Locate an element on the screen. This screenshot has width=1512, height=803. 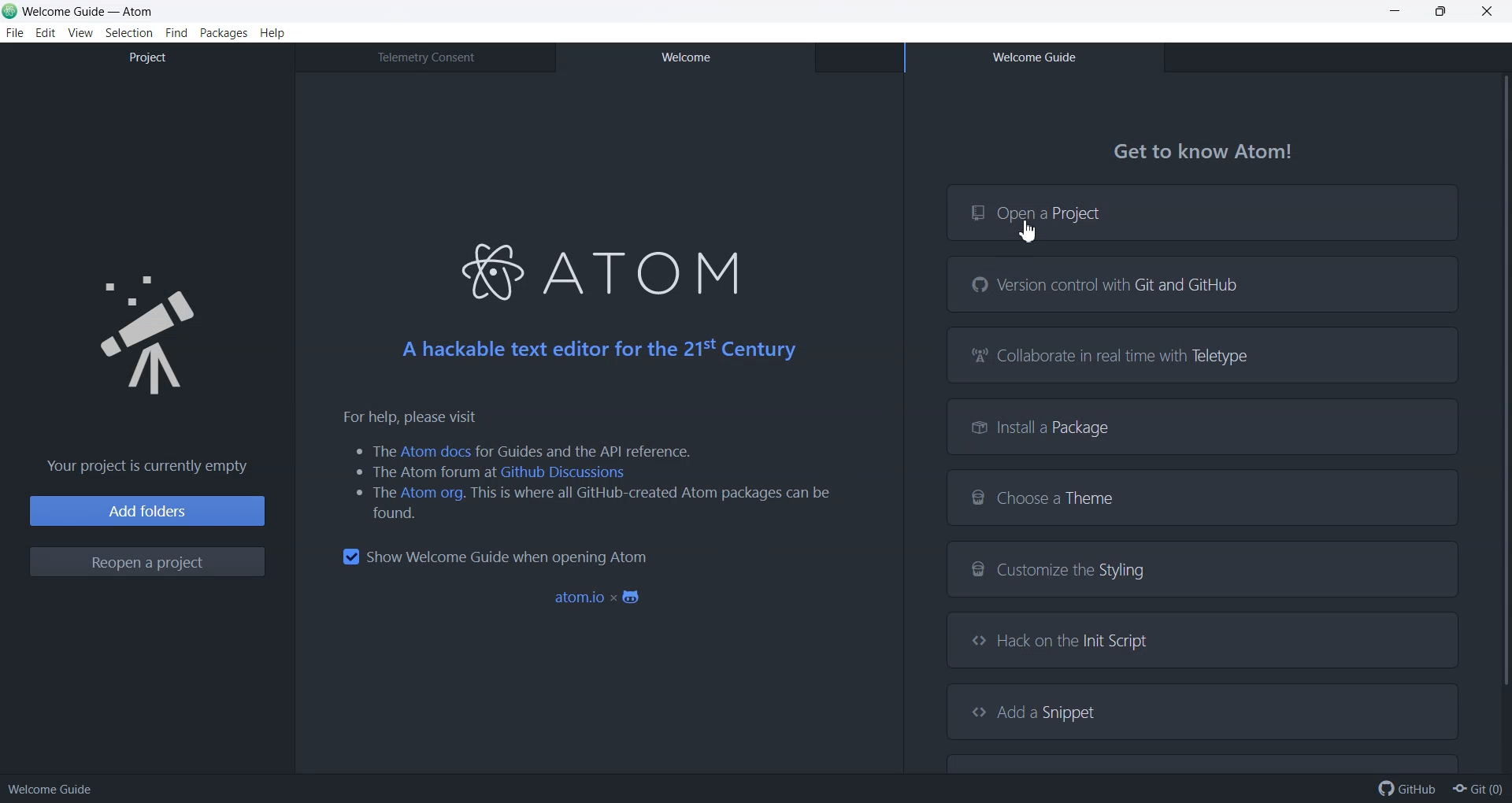
Add folders is located at coordinates (146, 511).